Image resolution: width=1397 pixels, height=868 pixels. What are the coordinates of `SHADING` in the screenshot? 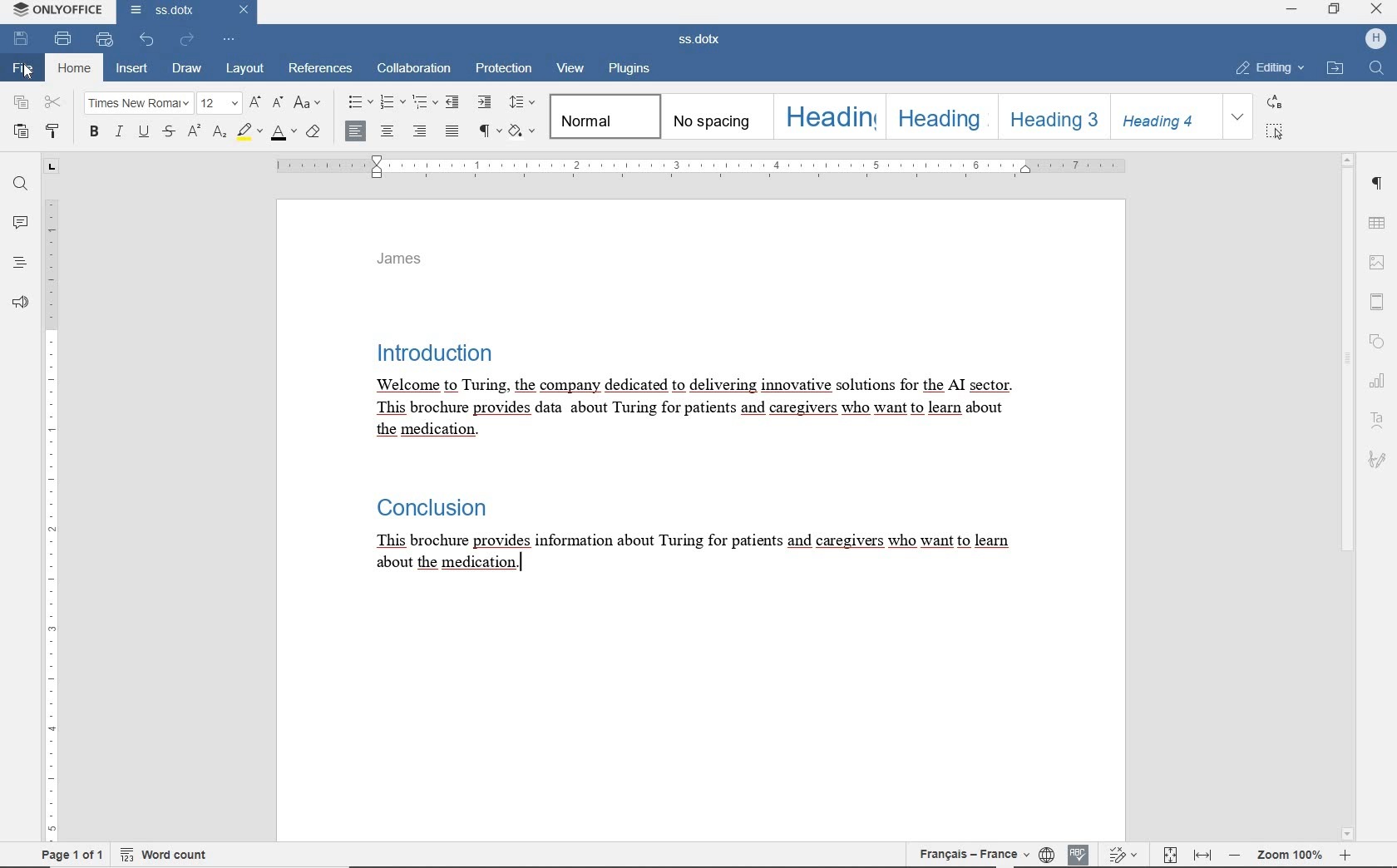 It's located at (523, 131).